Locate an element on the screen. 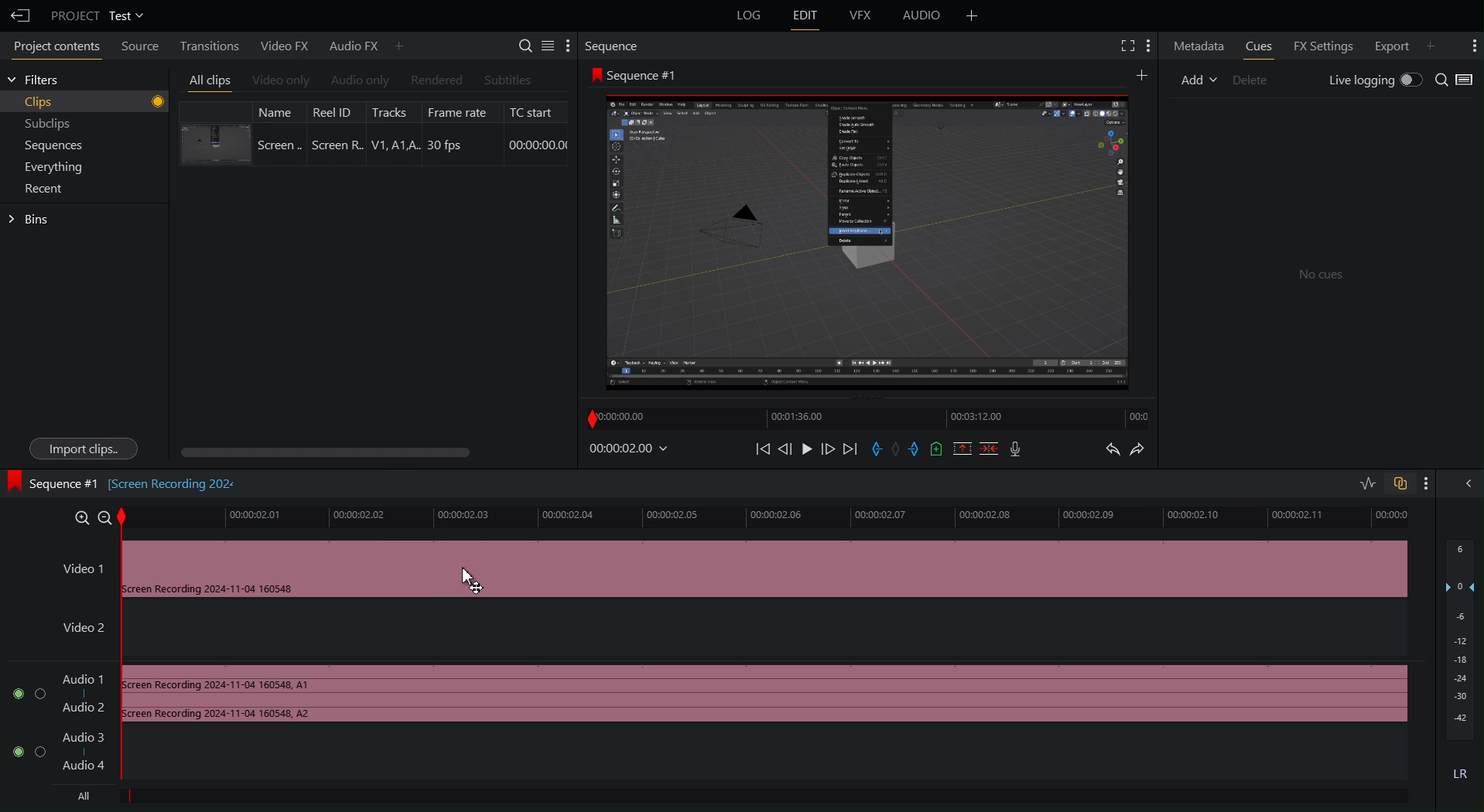 The width and height of the screenshot is (1484, 812). No clues is located at coordinates (1324, 274).